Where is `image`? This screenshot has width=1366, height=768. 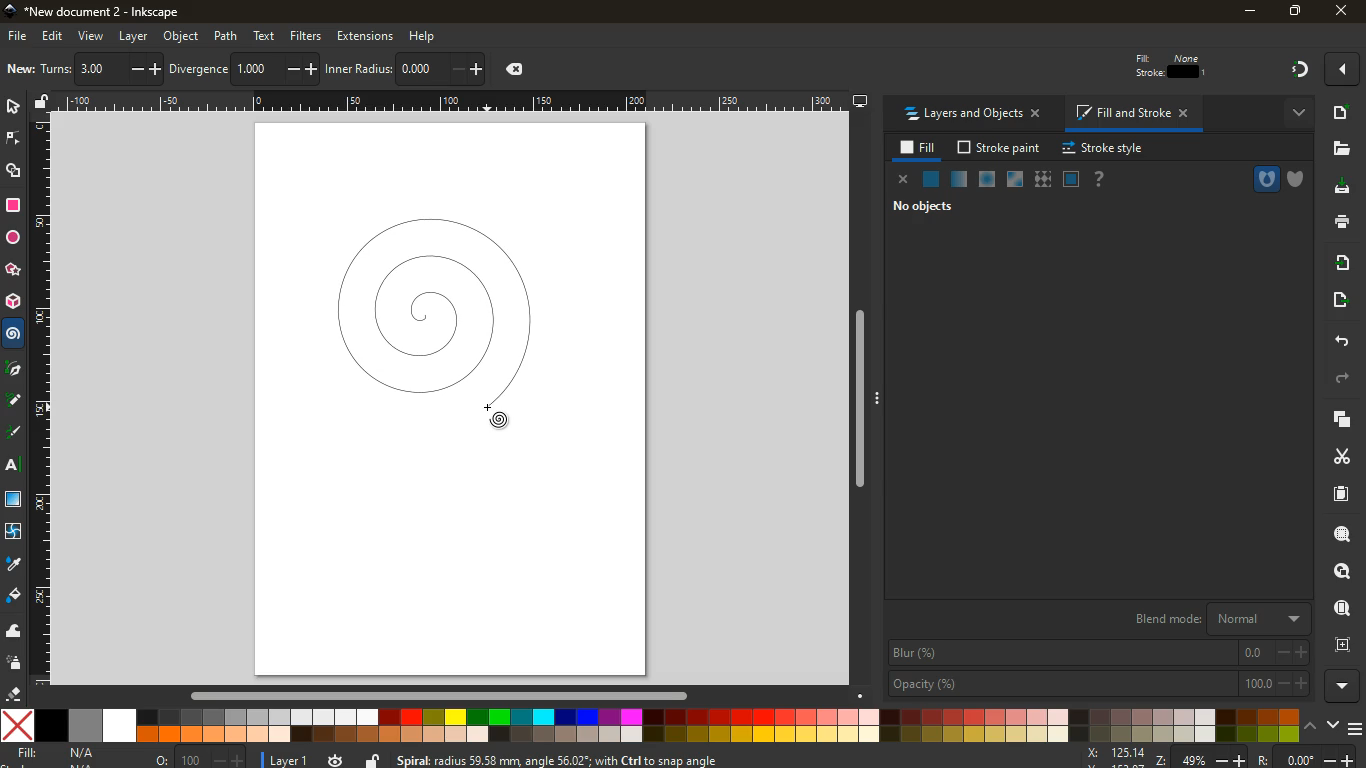
image is located at coordinates (21, 68).